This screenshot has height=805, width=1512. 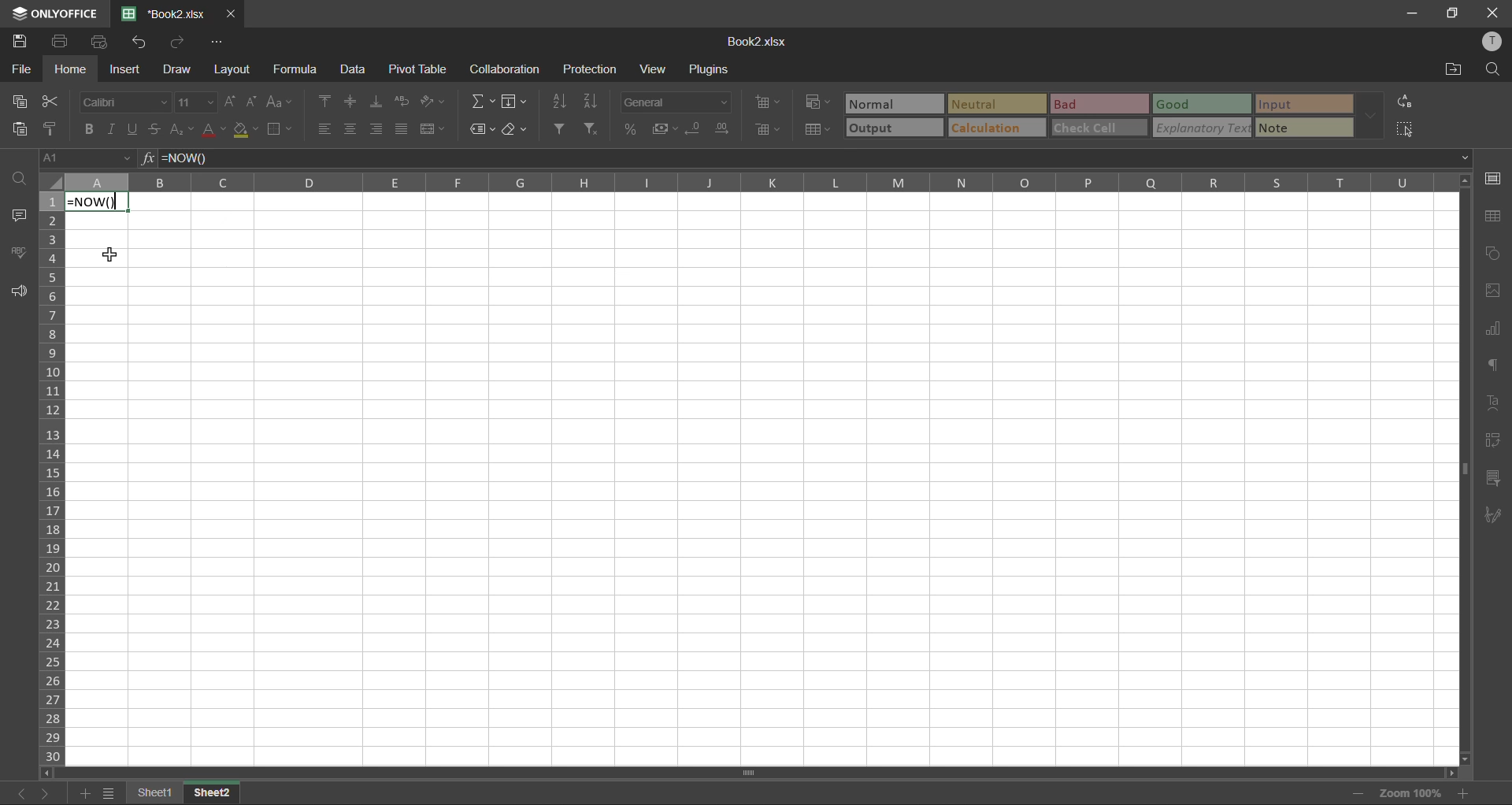 What do you see at coordinates (995, 128) in the screenshot?
I see `calculation` at bounding box center [995, 128].